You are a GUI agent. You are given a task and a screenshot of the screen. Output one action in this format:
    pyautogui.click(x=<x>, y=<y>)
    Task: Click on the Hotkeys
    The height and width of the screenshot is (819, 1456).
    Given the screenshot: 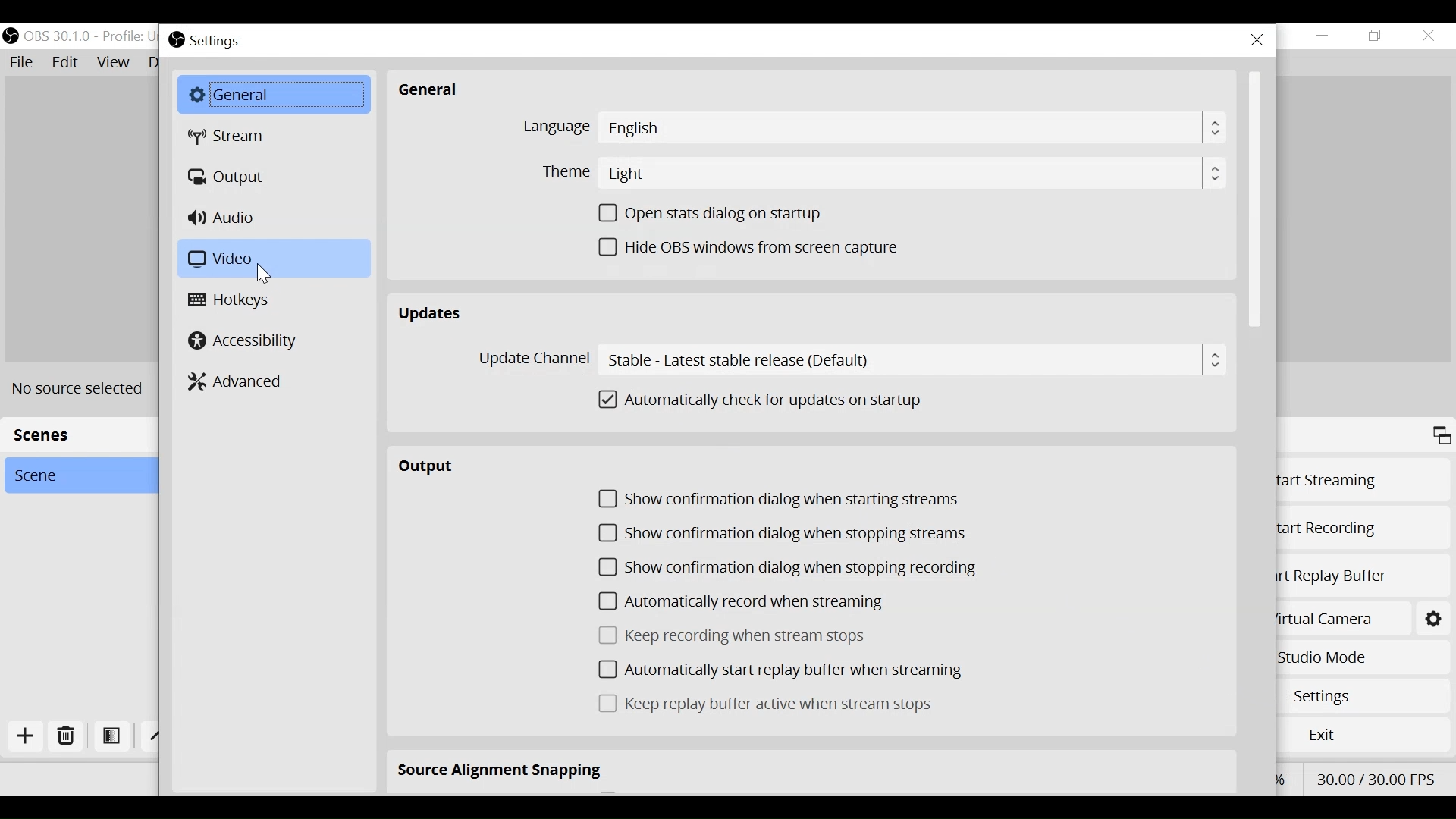 What is the action you would take?
    pyautogui.click(x=233, y=301)
    